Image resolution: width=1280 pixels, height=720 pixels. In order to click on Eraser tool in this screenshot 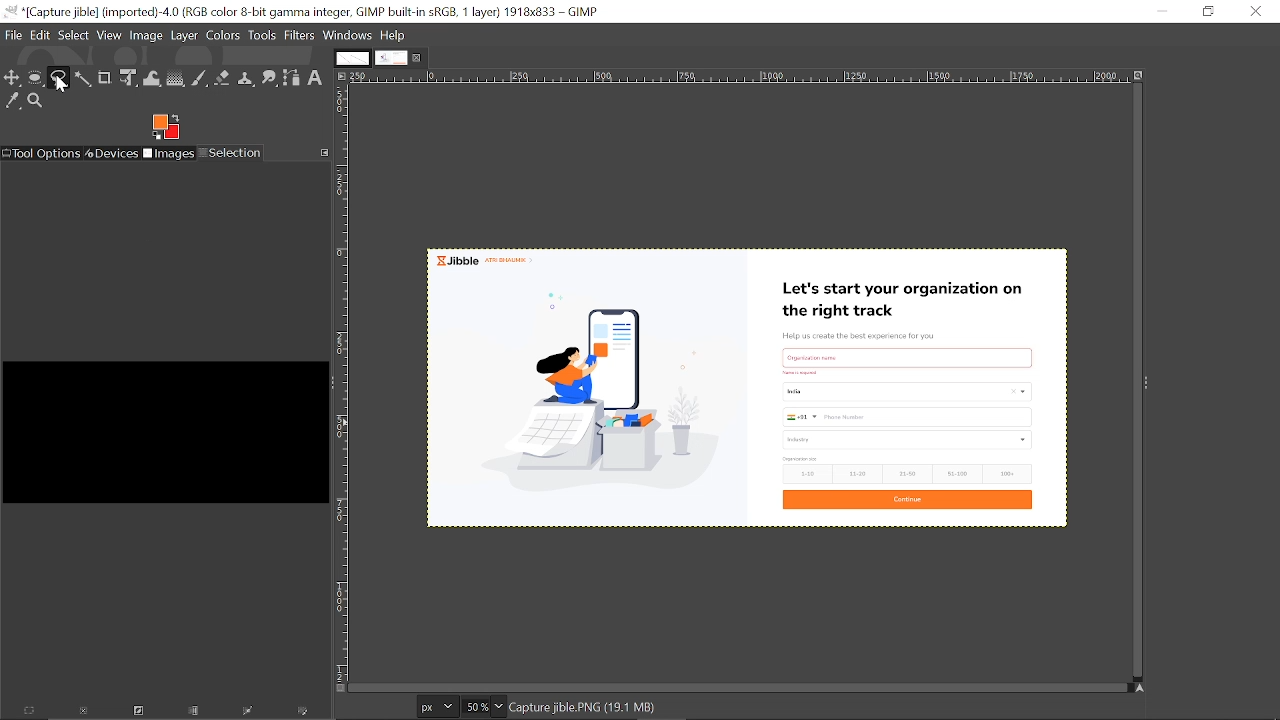, I will do `click(223, 78)`.